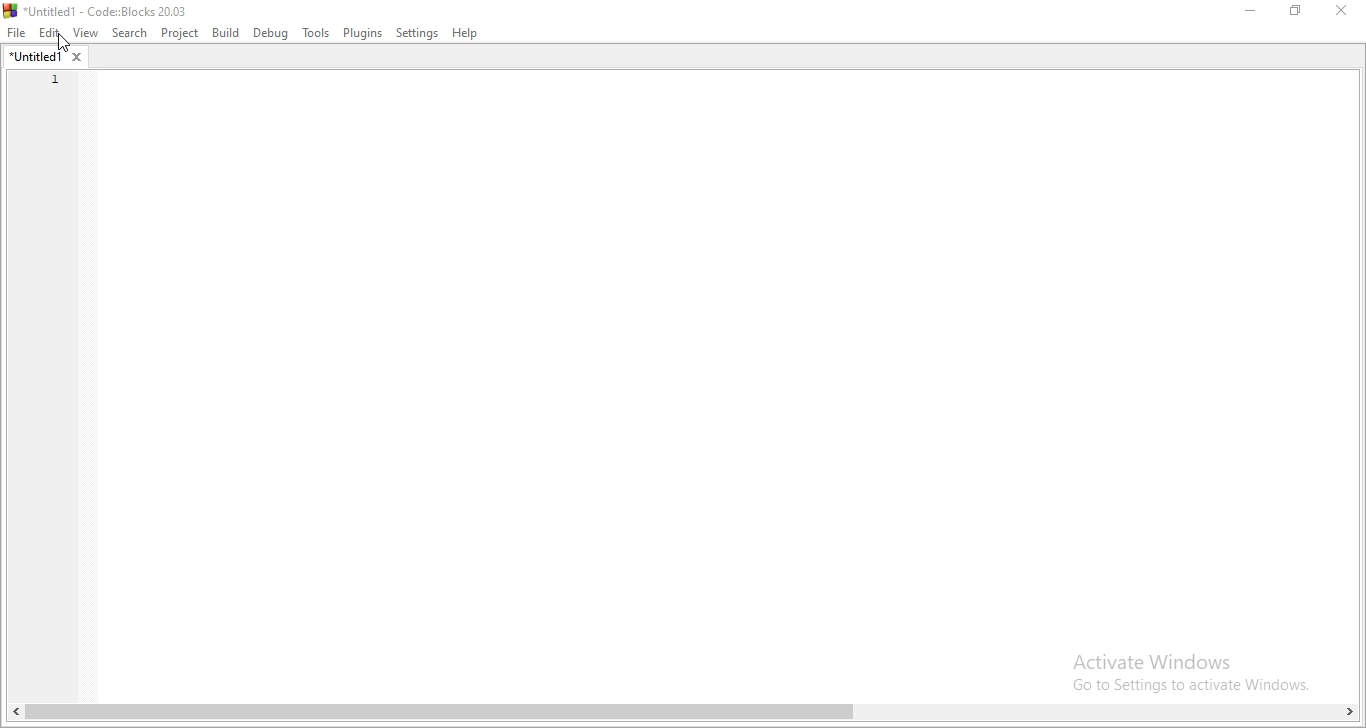 Image resolution: width=1366 pixels, height=728 pixels. What do you see at coordinates (65, 43) in the screenshot?
I see `cursor` at bounding box center [65, 43].